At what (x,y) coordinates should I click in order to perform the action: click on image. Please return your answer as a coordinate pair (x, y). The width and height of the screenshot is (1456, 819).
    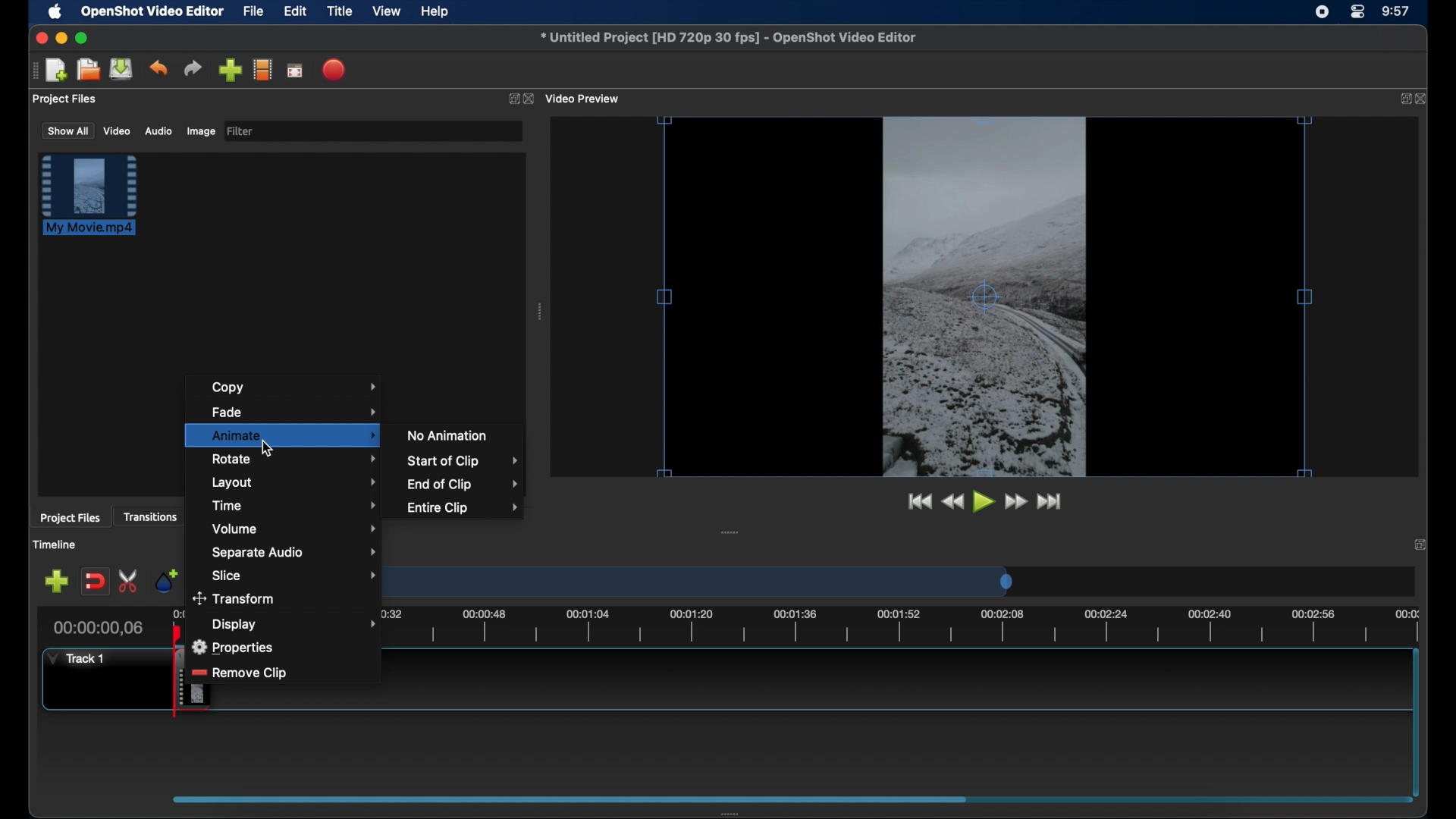
    Looking at the image, I should click on (200, 133).